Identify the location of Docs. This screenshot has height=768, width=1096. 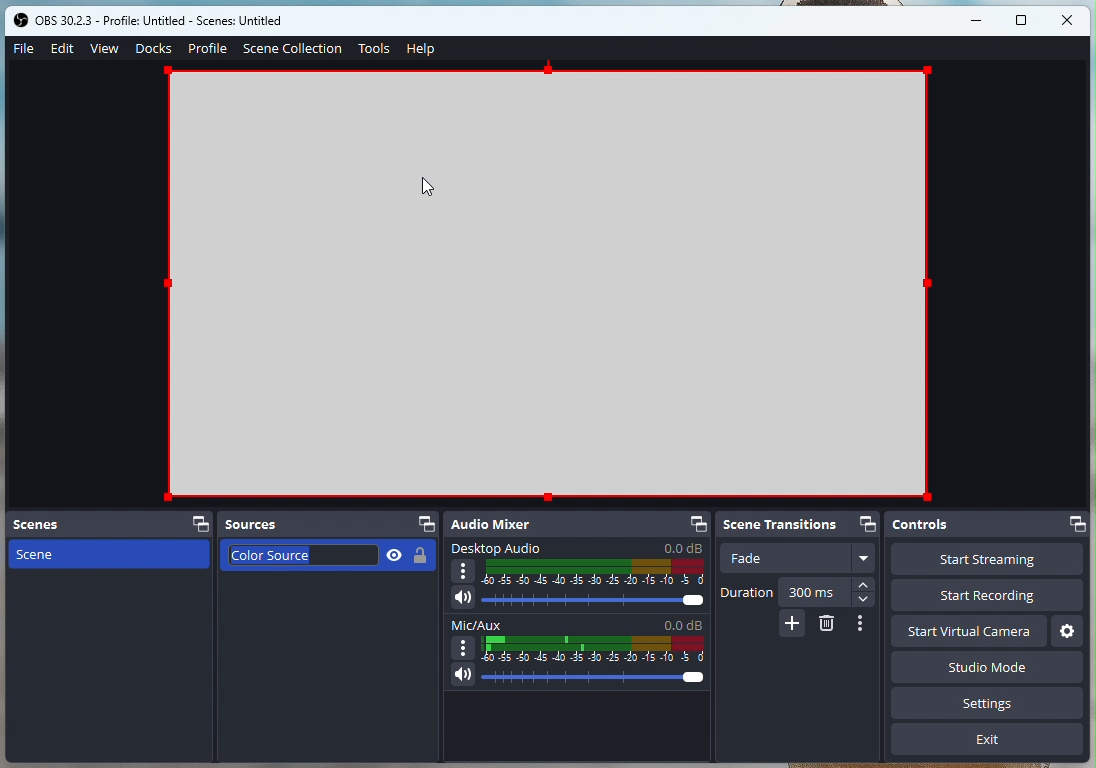
(153, 48).